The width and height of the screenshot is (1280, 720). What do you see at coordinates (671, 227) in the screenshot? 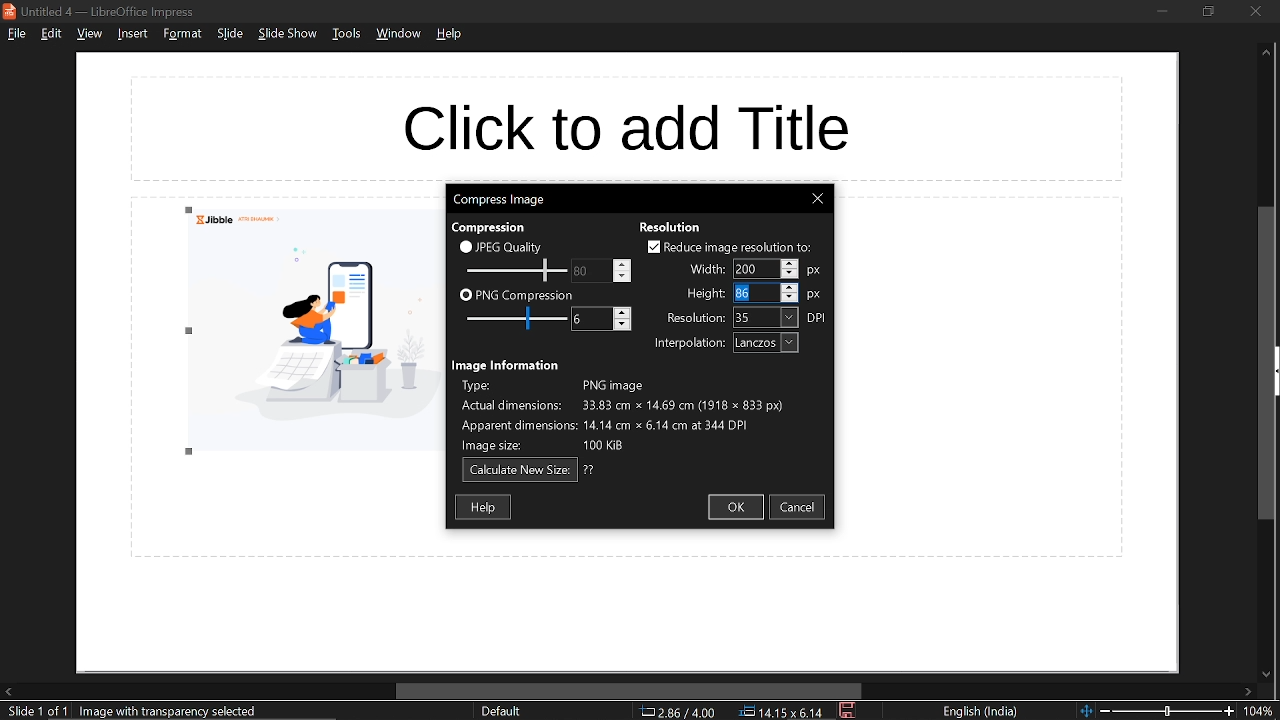
I see `resolution` at bounding box center [671, 227].